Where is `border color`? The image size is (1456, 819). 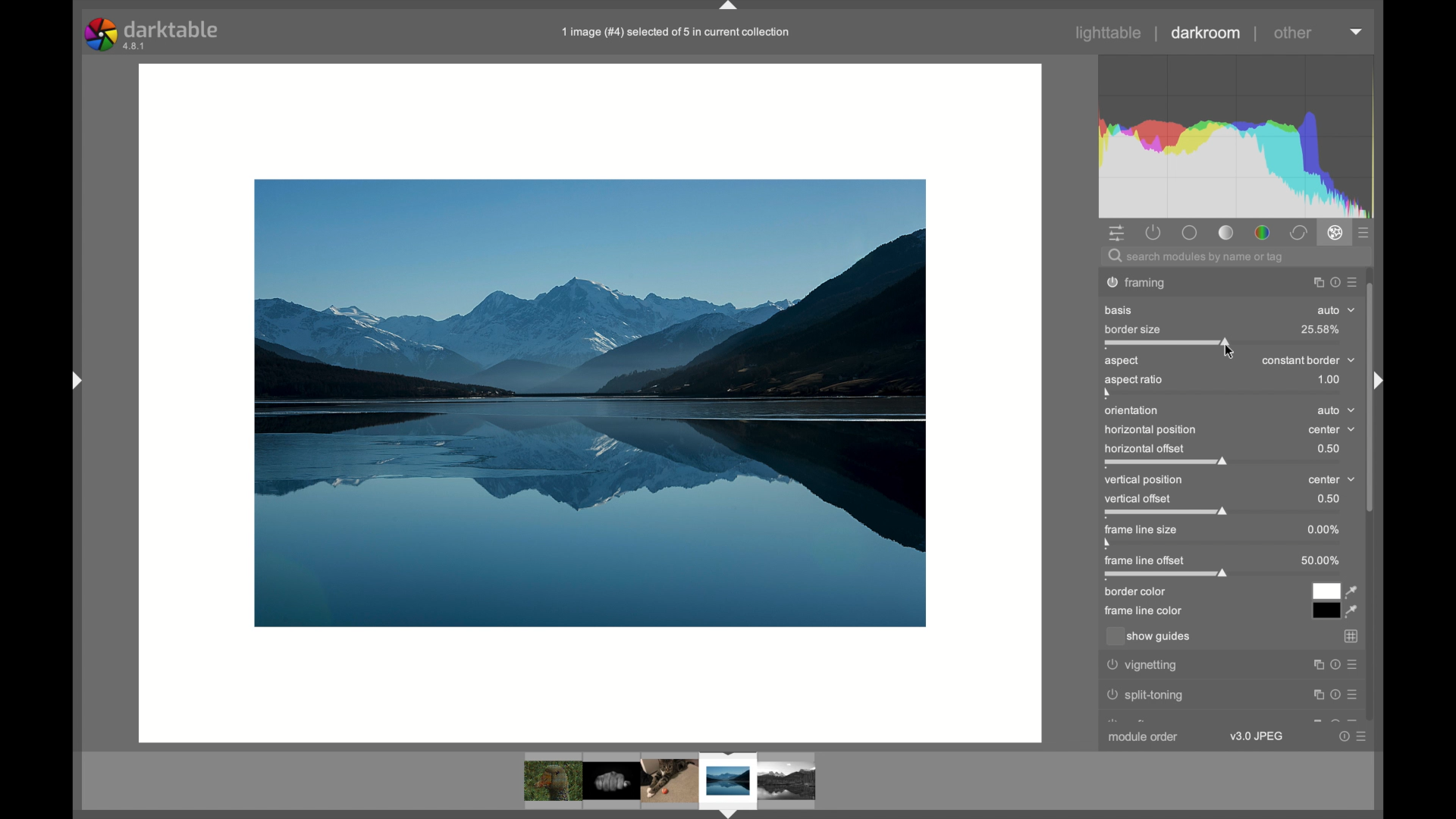 border color is located at coordinates (1134, 593).